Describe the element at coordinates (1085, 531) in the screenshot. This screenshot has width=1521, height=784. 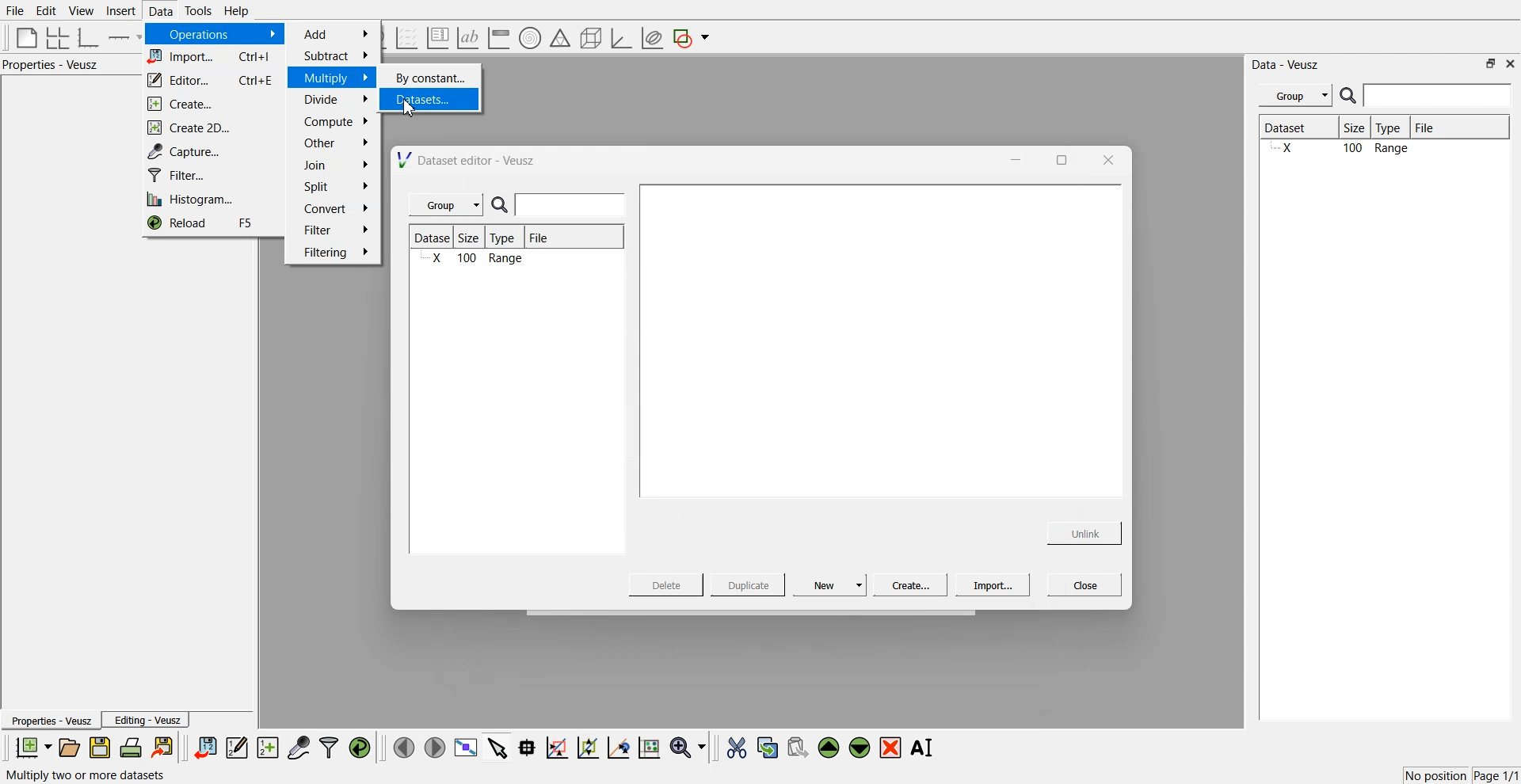
I see `Unlink` at that location.